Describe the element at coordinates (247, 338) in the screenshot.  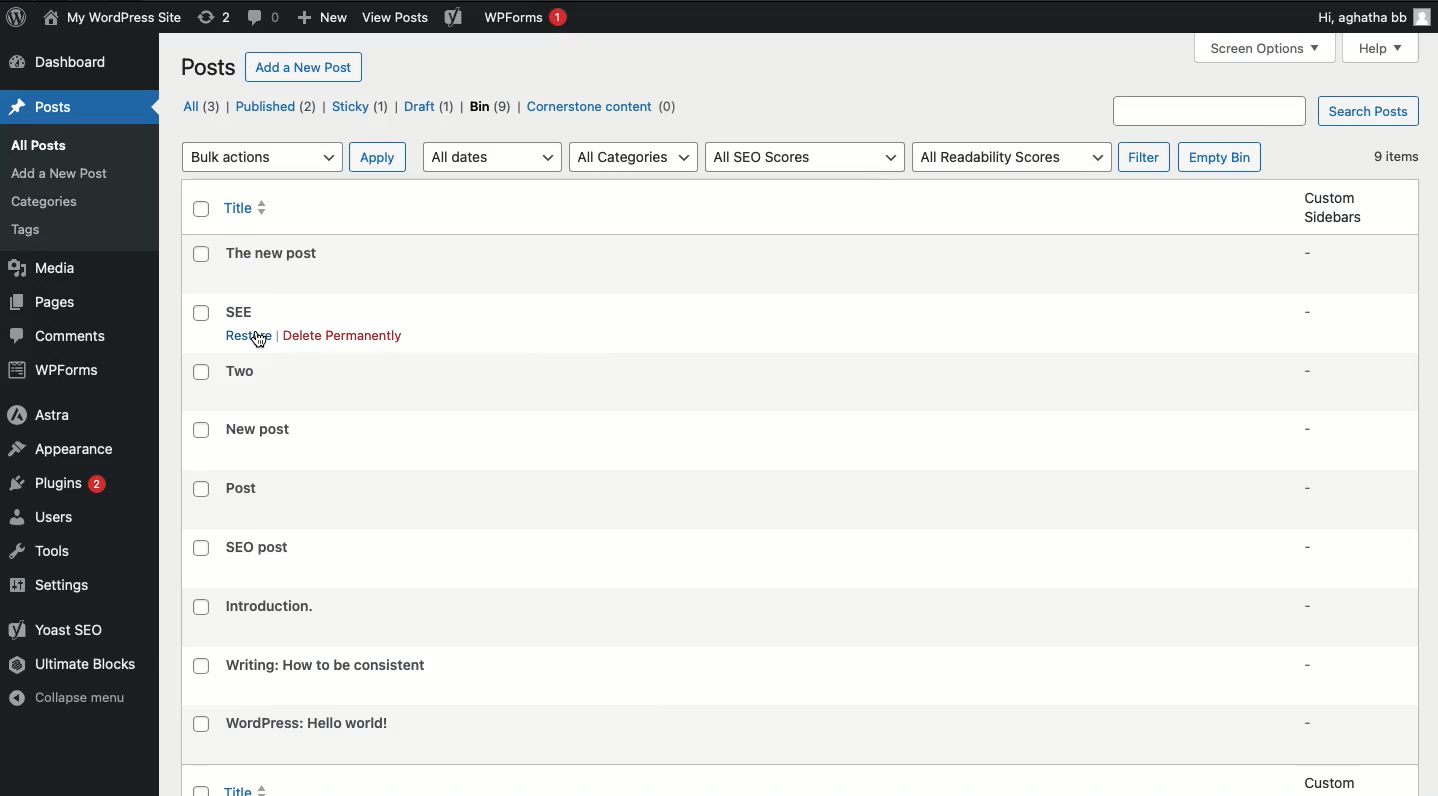
I see `Restore` at that location.